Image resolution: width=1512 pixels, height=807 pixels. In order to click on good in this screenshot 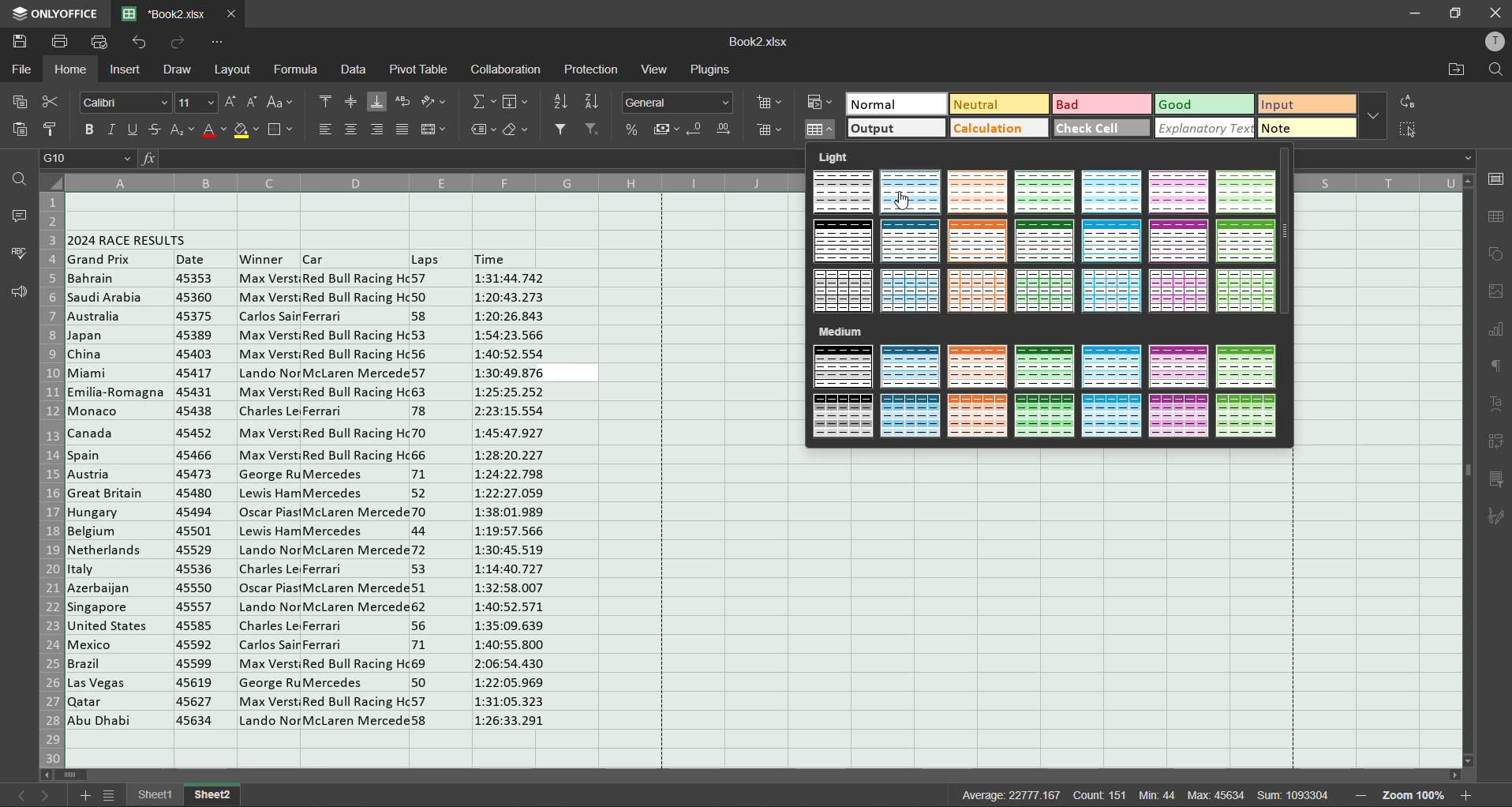, I will do `click(1204, 104)`.